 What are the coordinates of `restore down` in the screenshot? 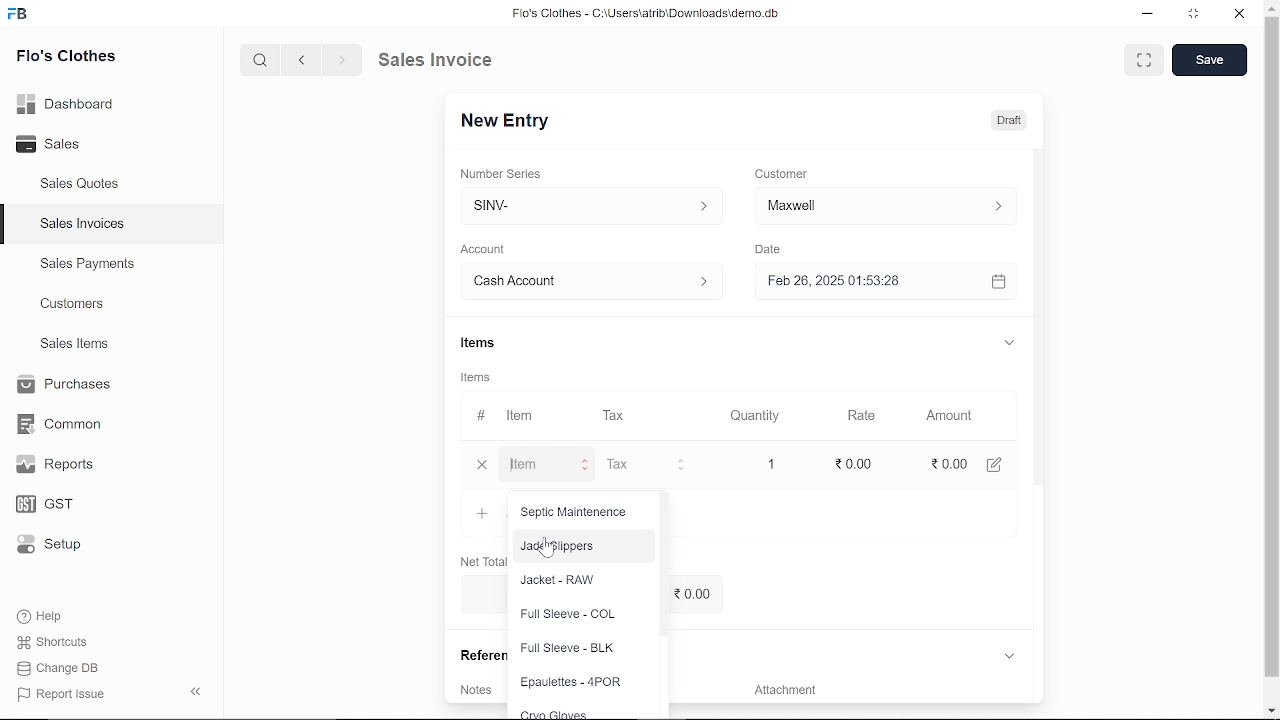 It's located at (1198, 14).